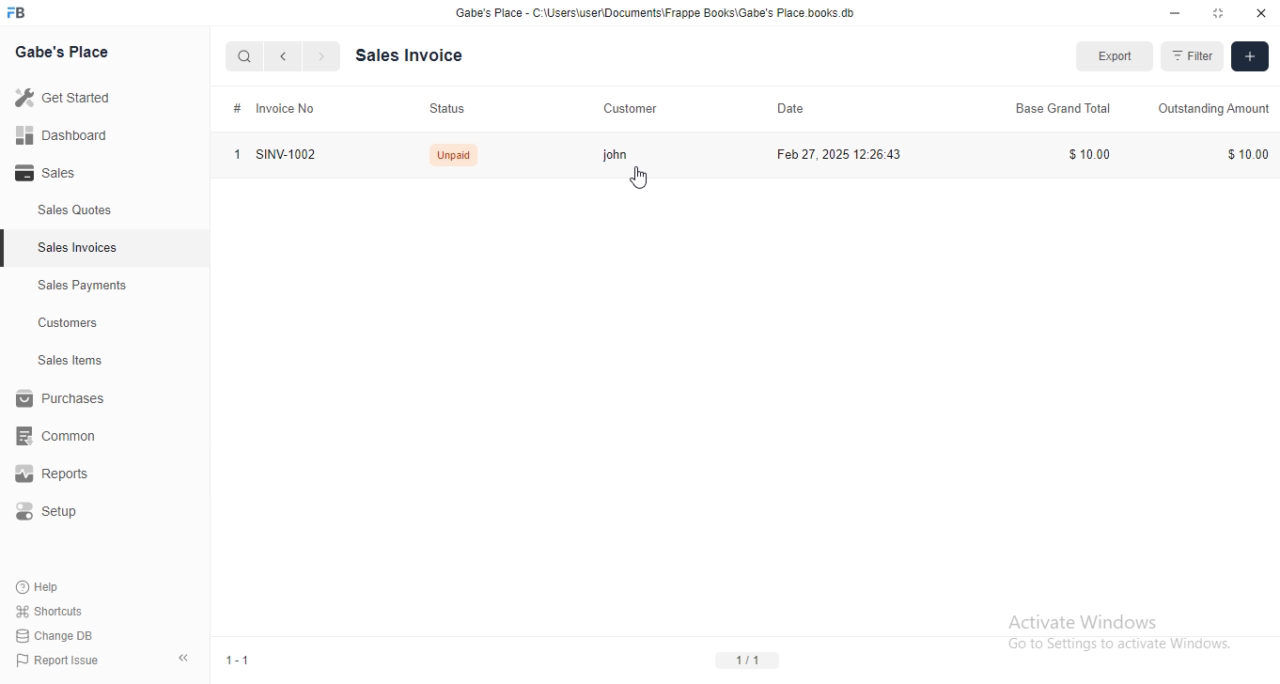 The height and width of the screenshot is (684, 1280). I want to click on shortcuts, so click(50, 611).